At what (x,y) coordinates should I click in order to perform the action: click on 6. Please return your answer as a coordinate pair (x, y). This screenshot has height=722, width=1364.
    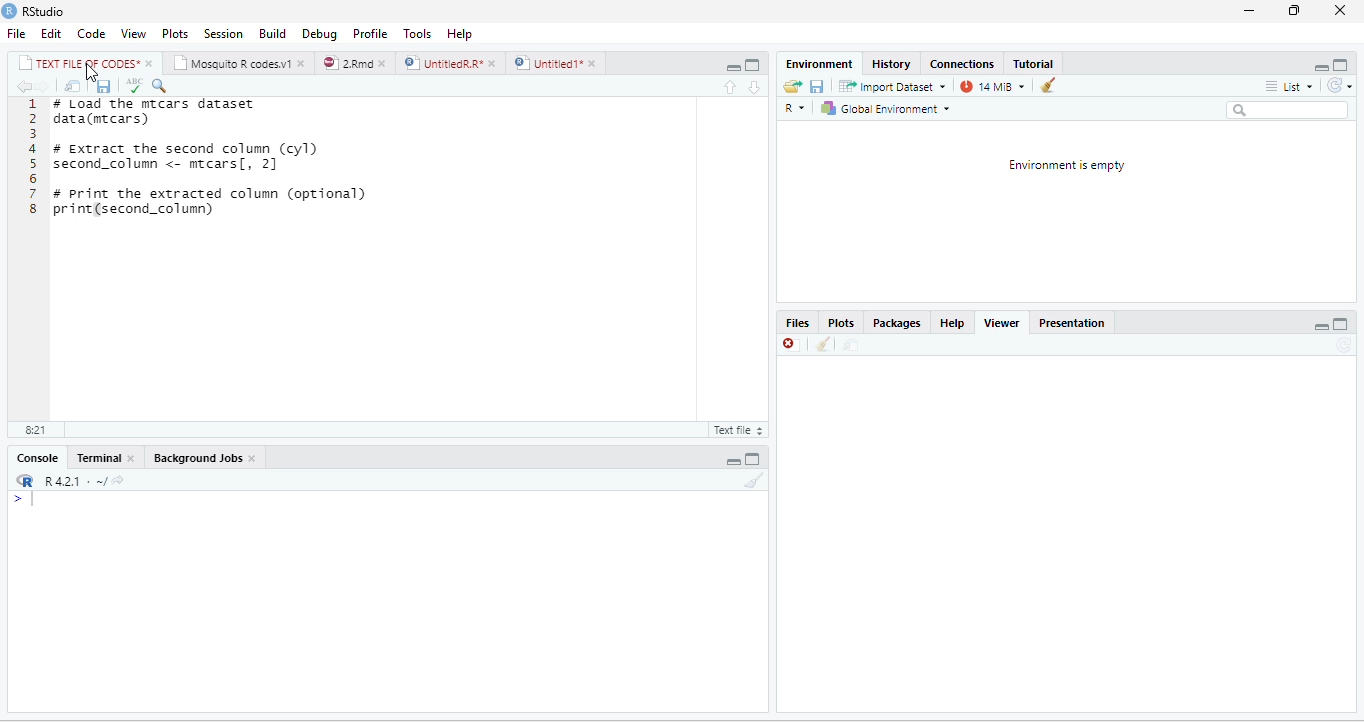
    Looking at the image, I should click on (33, 178).